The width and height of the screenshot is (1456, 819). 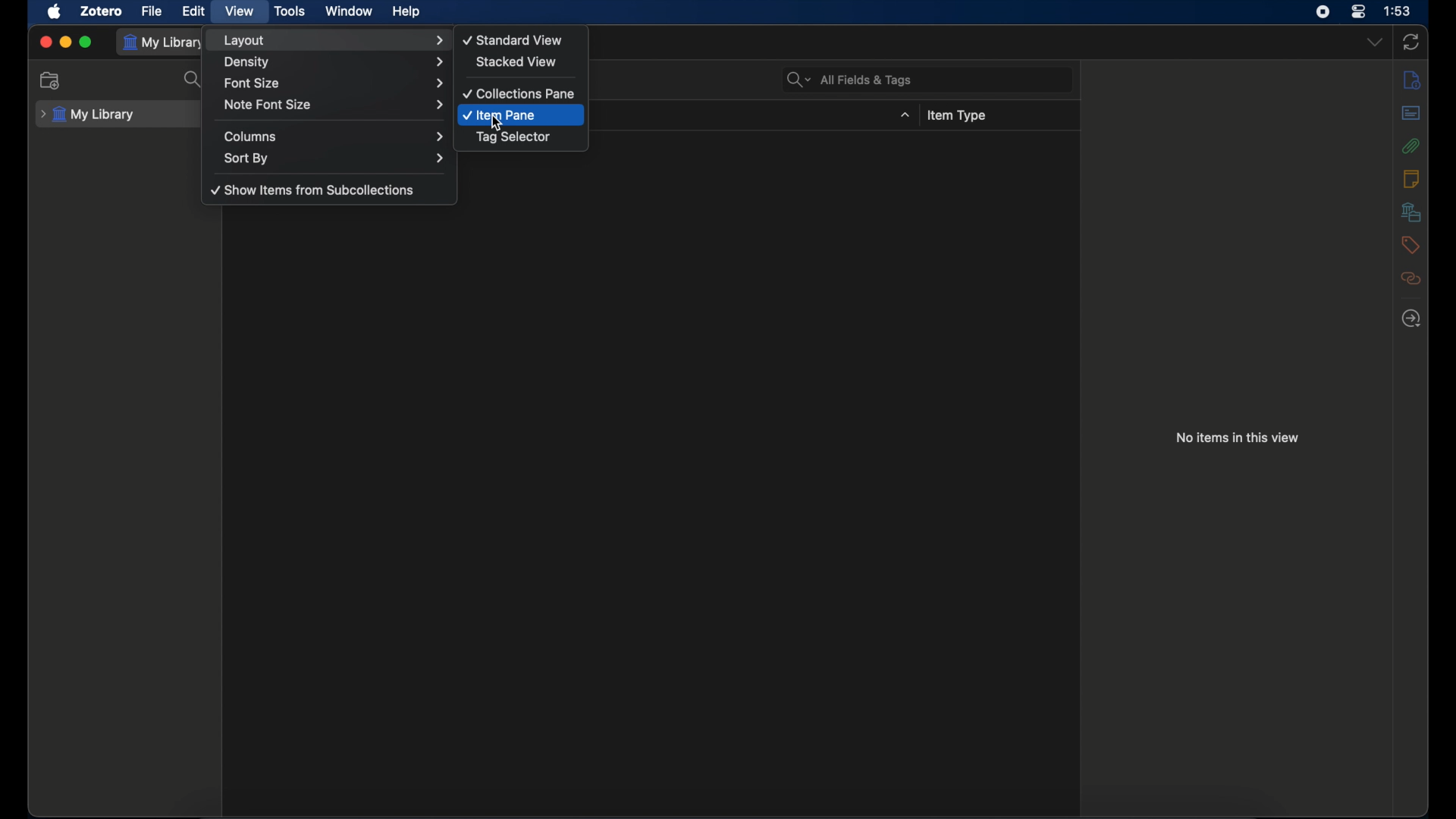 What do you see at coordinates (519, 94) in the screenshot?
I see `collections pane` at bounding box center [519, 94].